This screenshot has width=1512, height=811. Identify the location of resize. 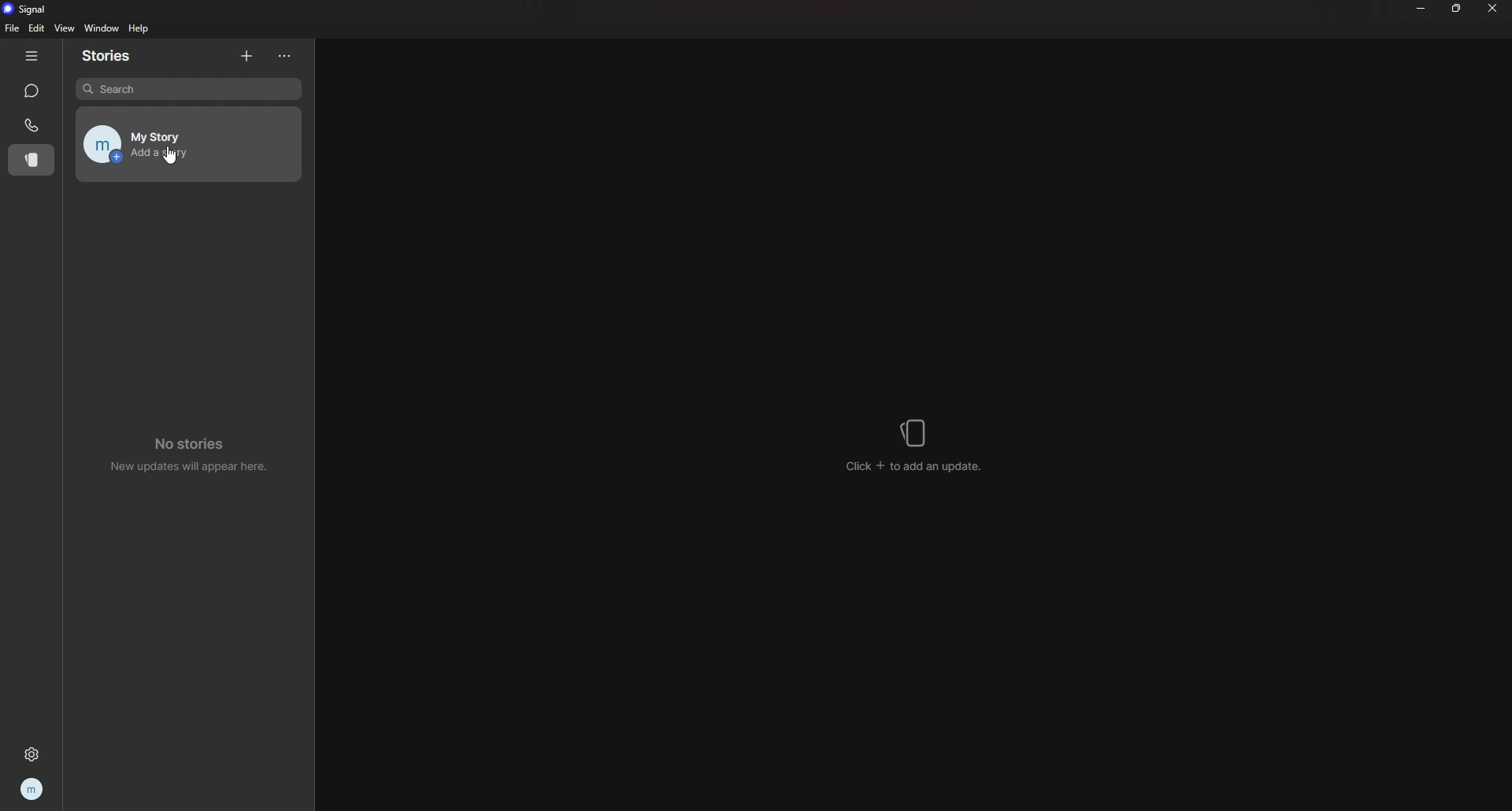
(1458, 8).